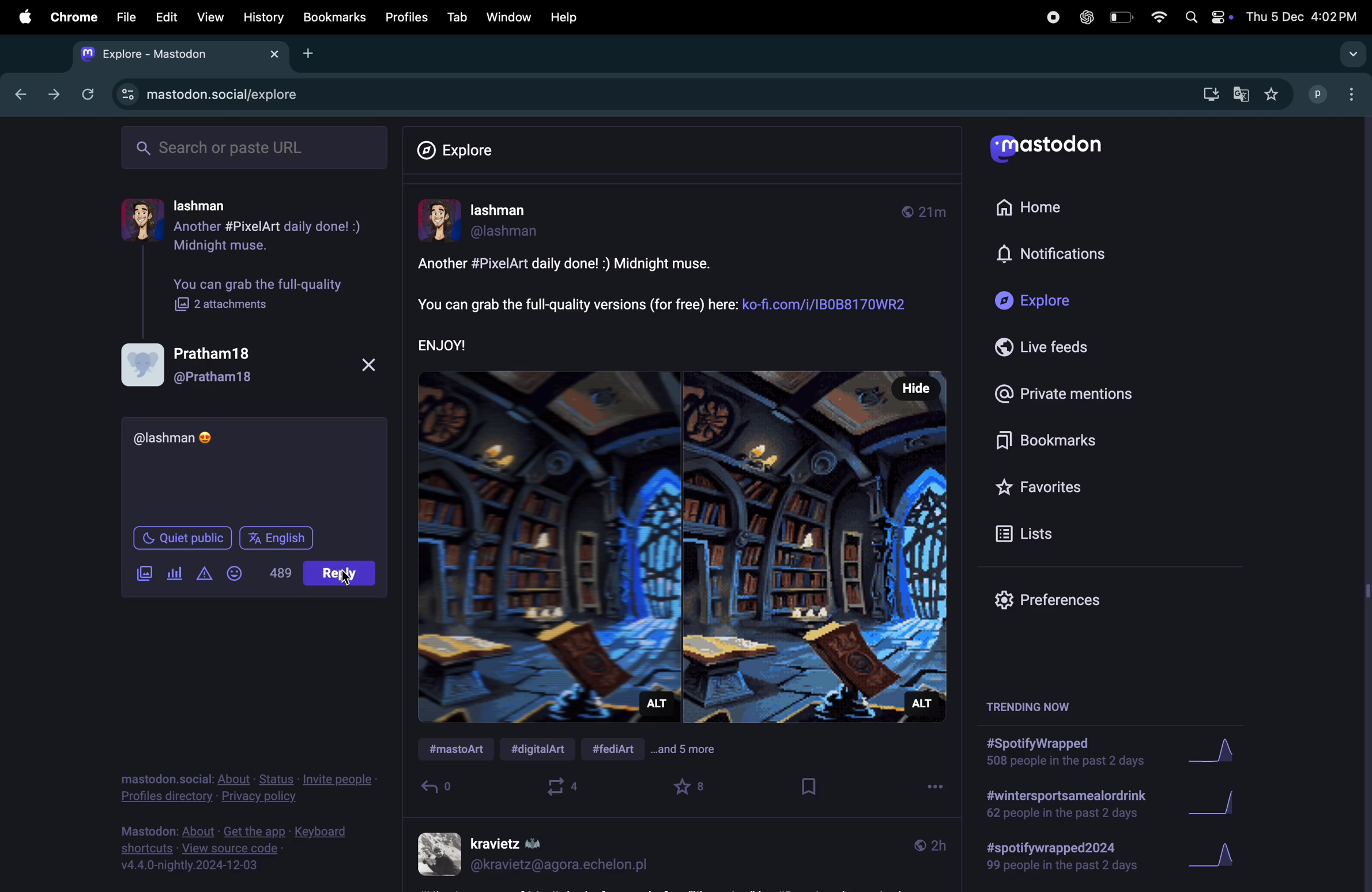 The height and width of the screenshot is (892, 1372). I want to click on History, so click(262, 18).